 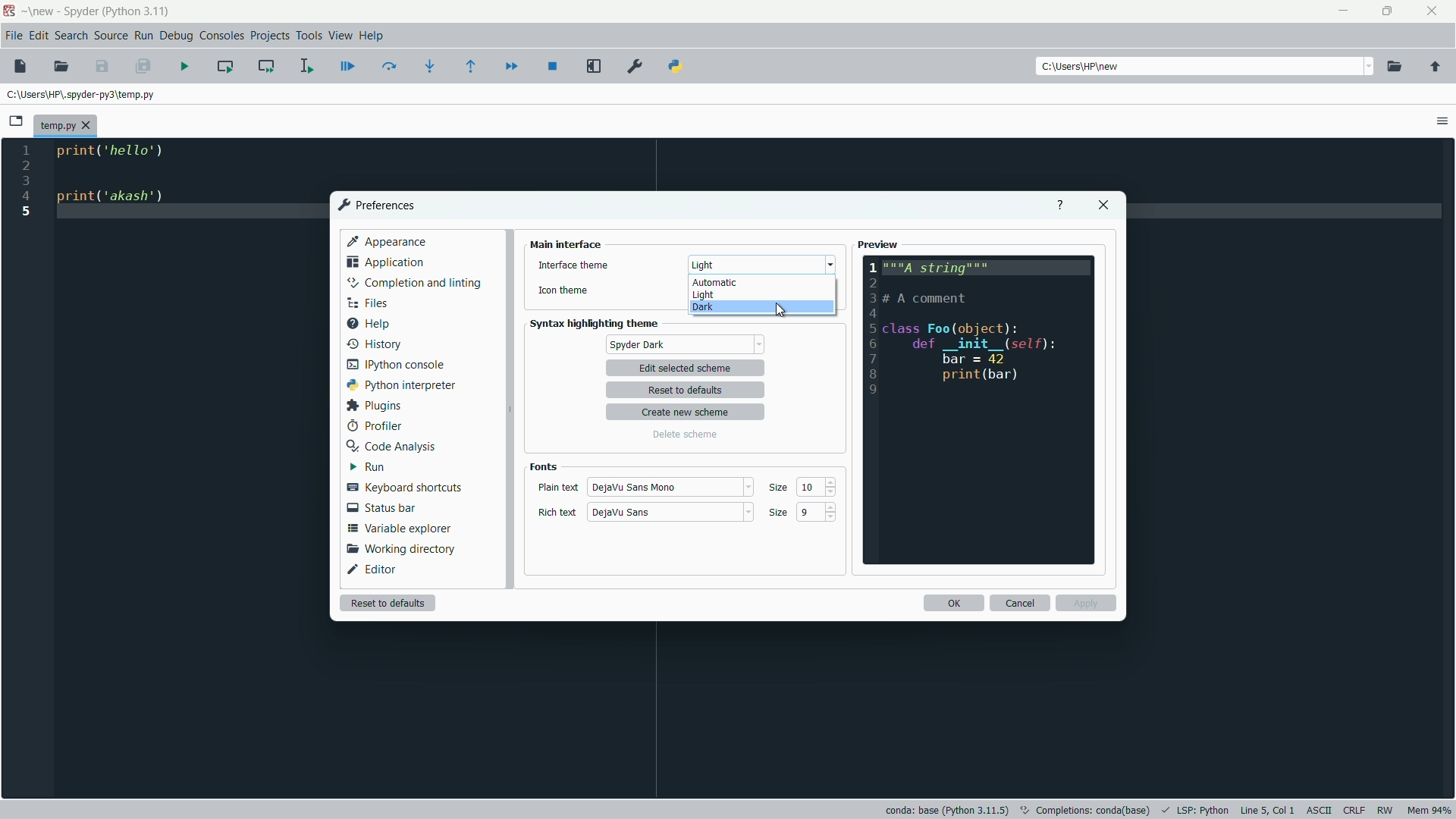 I want to click on memory usage, so click(x=1430, y=811).